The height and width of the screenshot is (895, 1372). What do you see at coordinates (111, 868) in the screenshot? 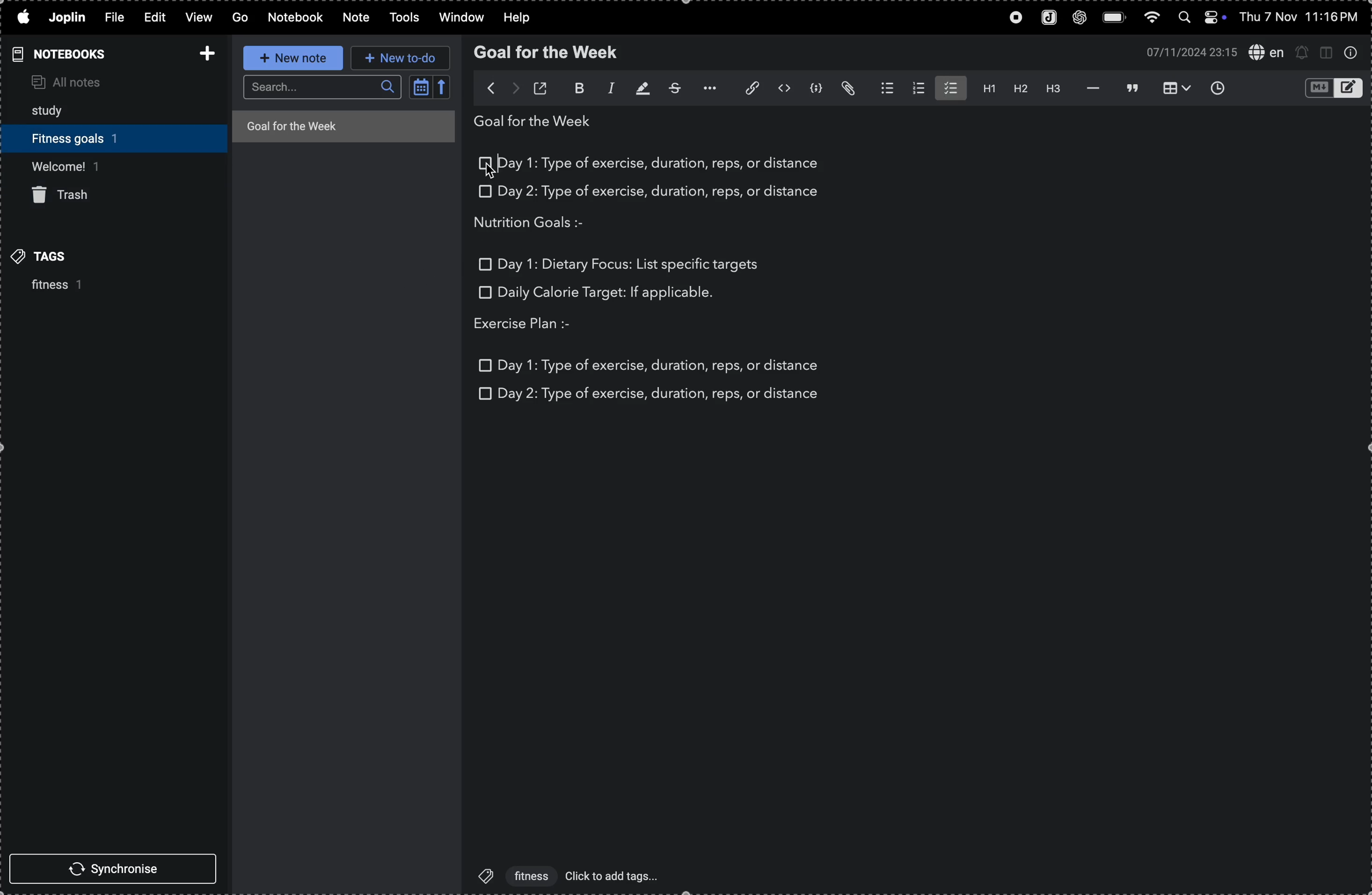
I see `synchronise` at bounding box center [111, 868].